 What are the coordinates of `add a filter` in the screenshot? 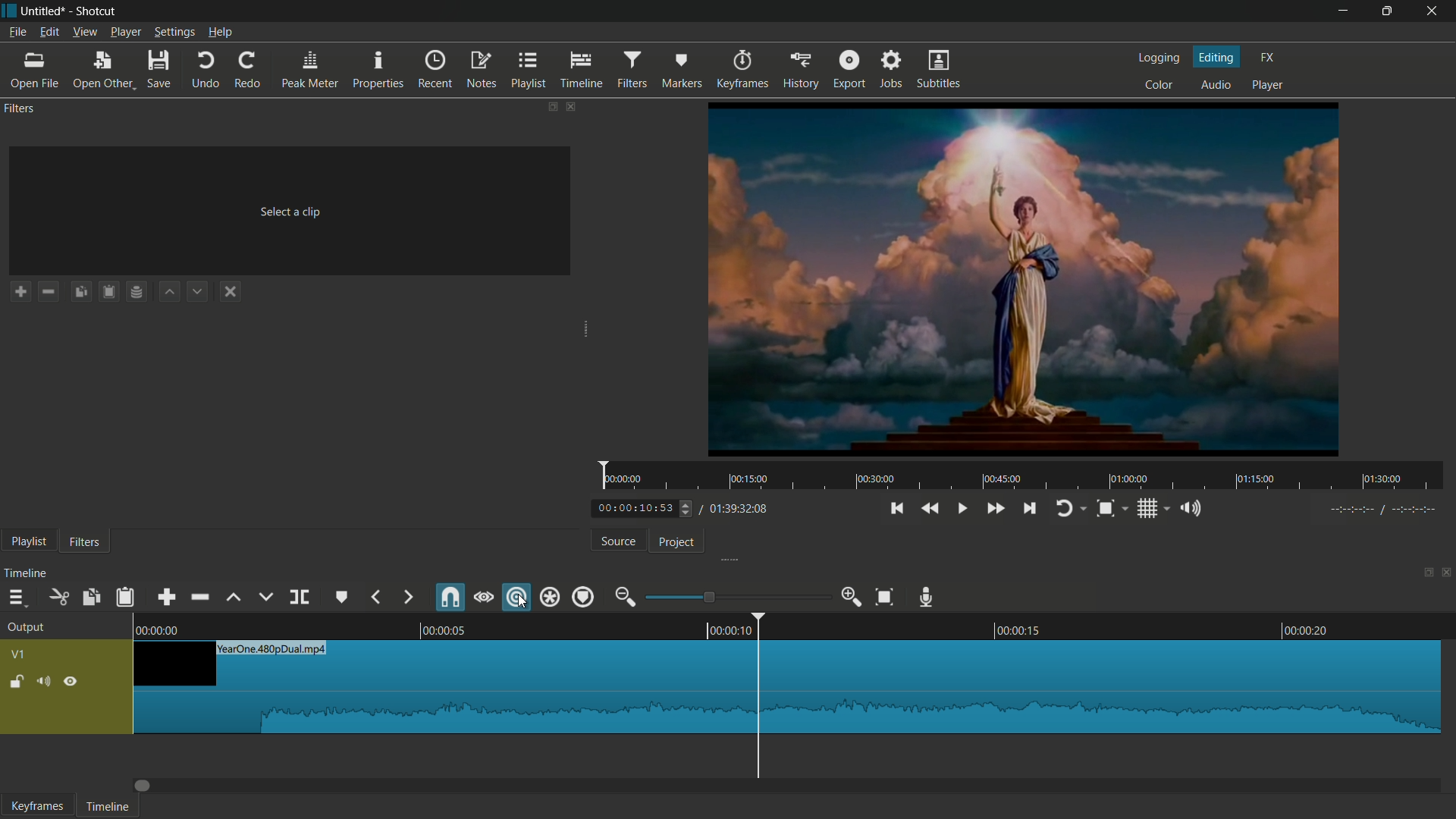 It's located at (19, 291).